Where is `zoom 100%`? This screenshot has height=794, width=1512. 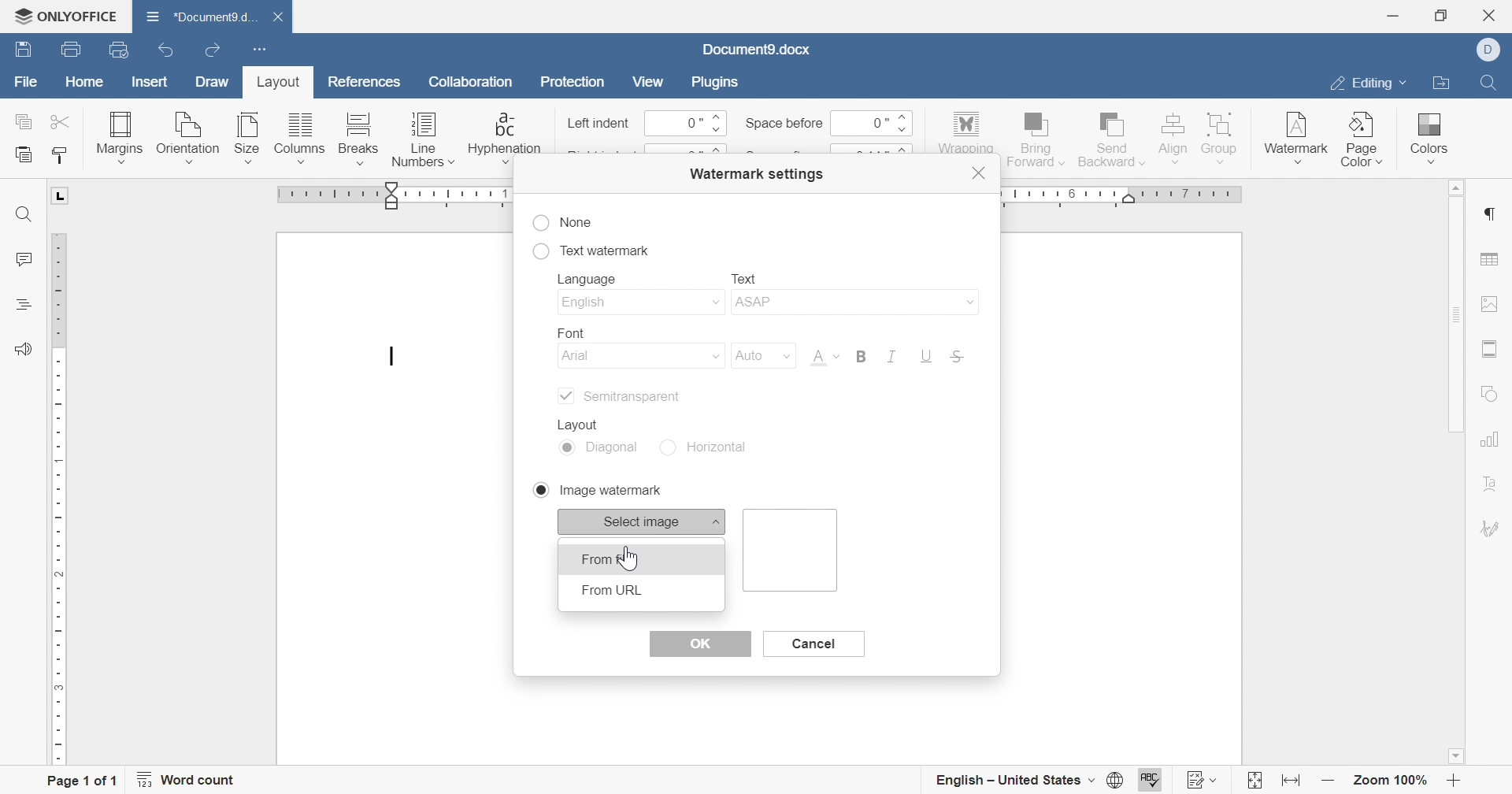
zoom 100% is located at coordinates (1392, 783).